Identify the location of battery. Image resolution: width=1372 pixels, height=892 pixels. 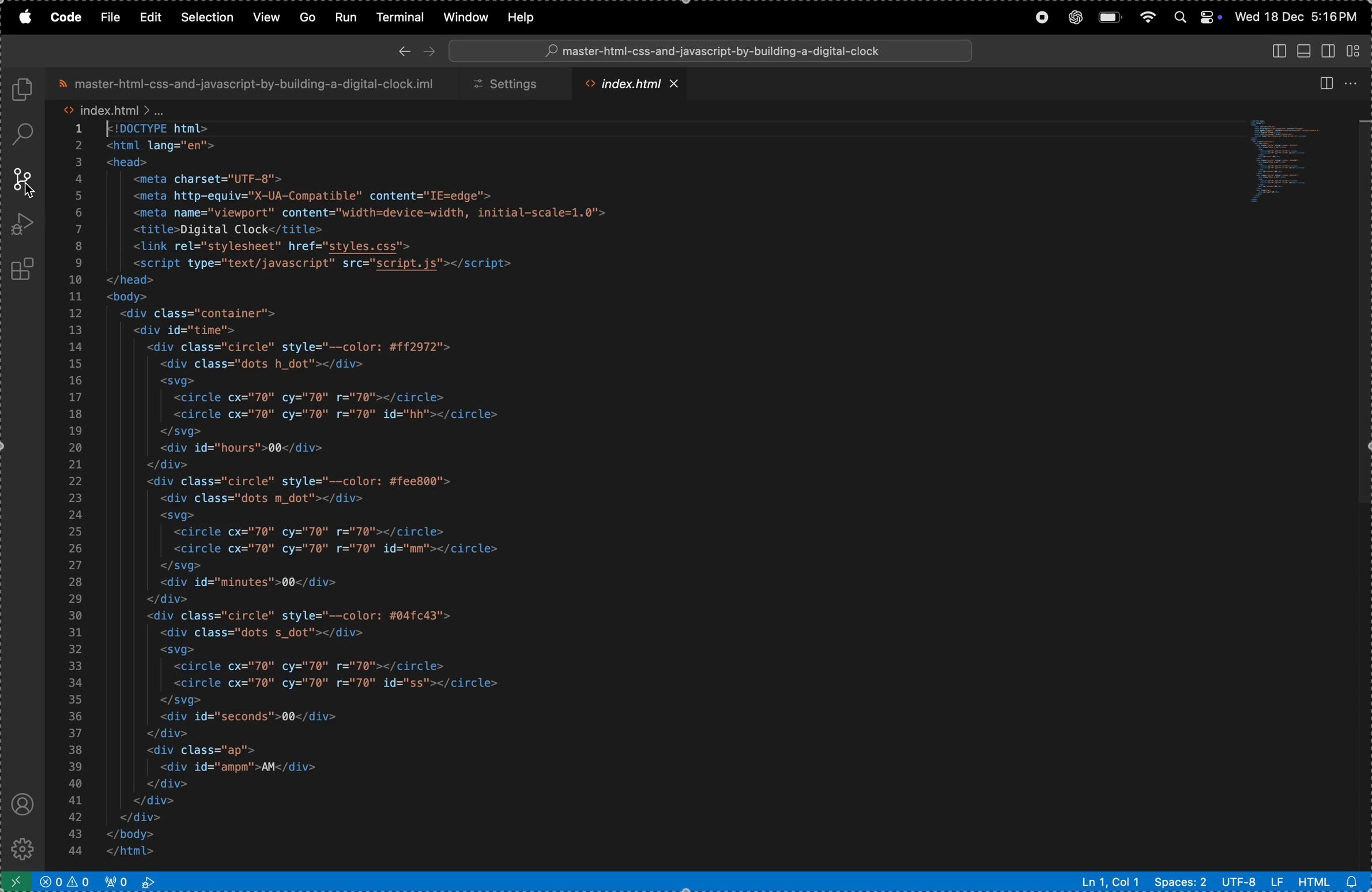
(1109, 18).